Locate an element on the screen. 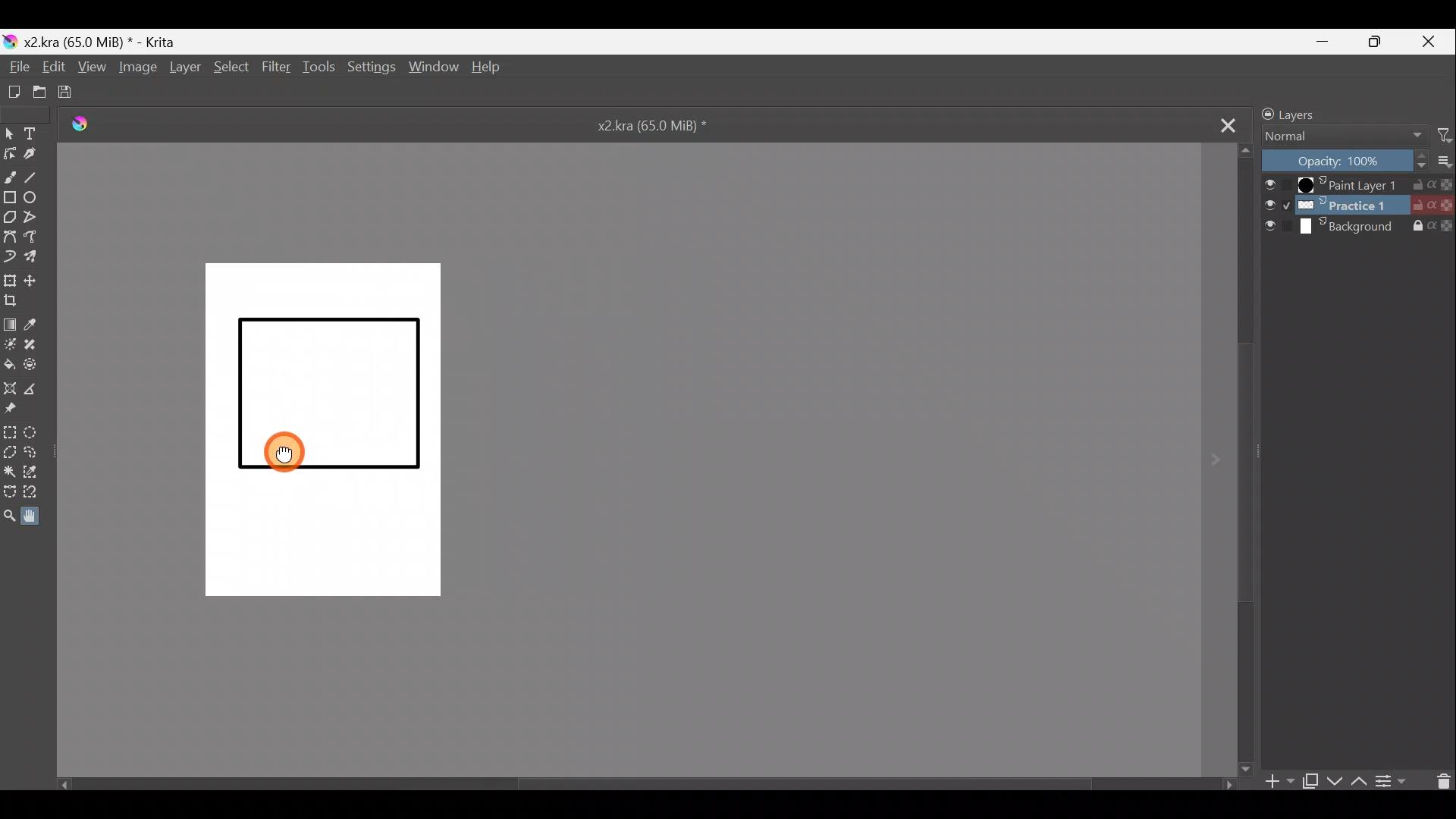  Scroll bar is located at coordinates (644, 787).